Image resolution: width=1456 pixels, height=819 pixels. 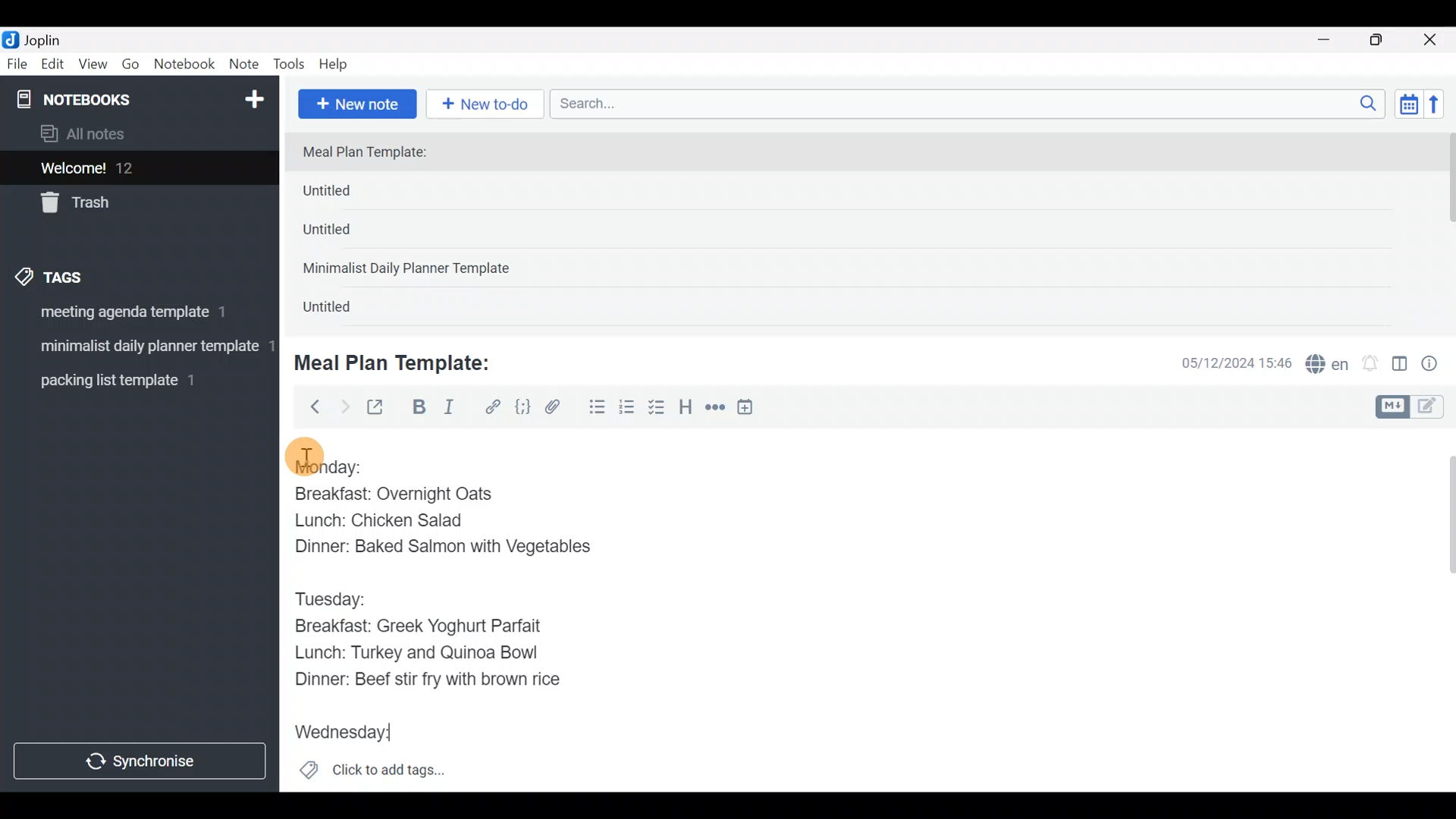 I want to click on Toggle editor layout, so click(x=1401, y=366).